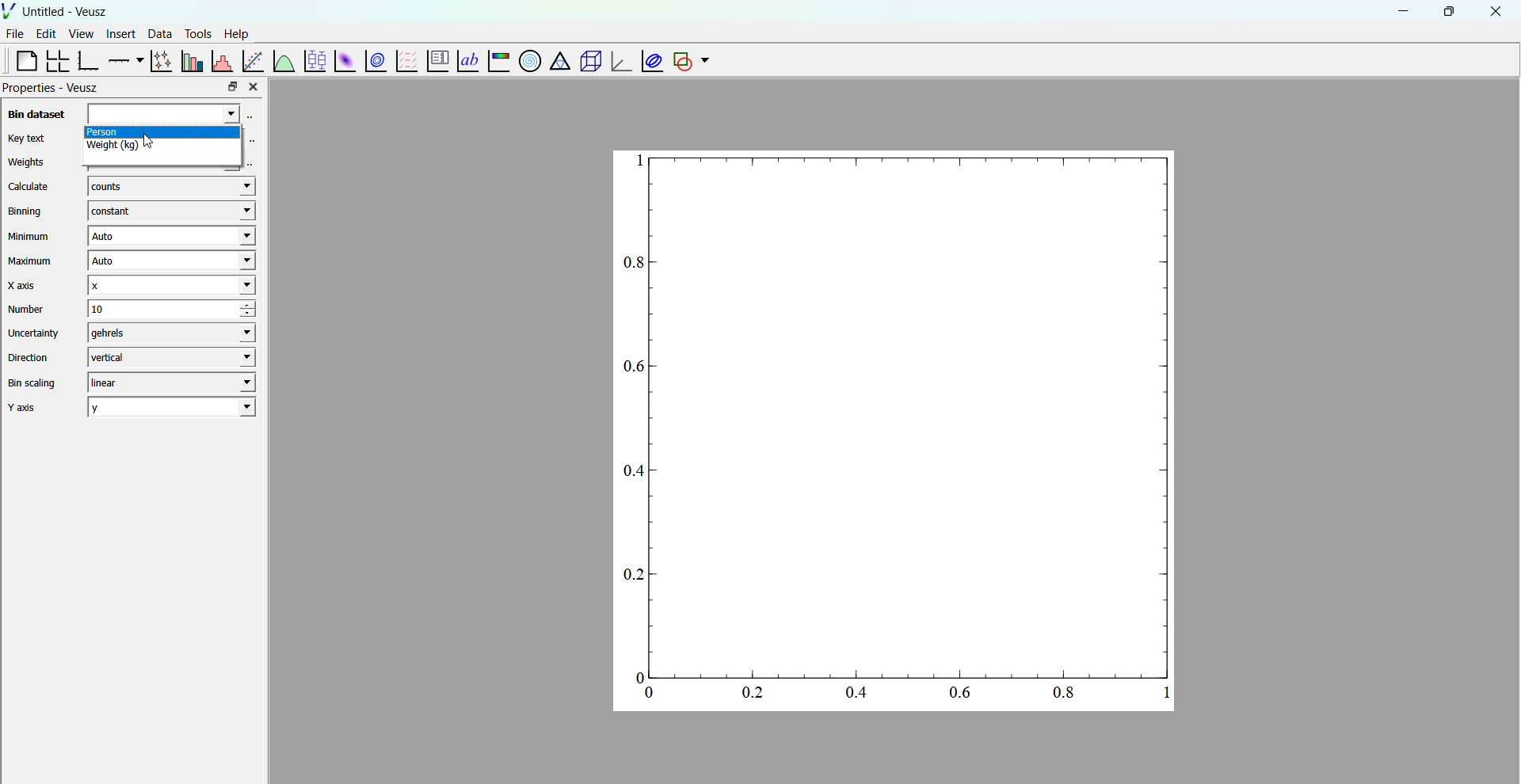  Describe the element at coordinates (35, 333) in the screenshot. I see `Uncertainty` at that location.